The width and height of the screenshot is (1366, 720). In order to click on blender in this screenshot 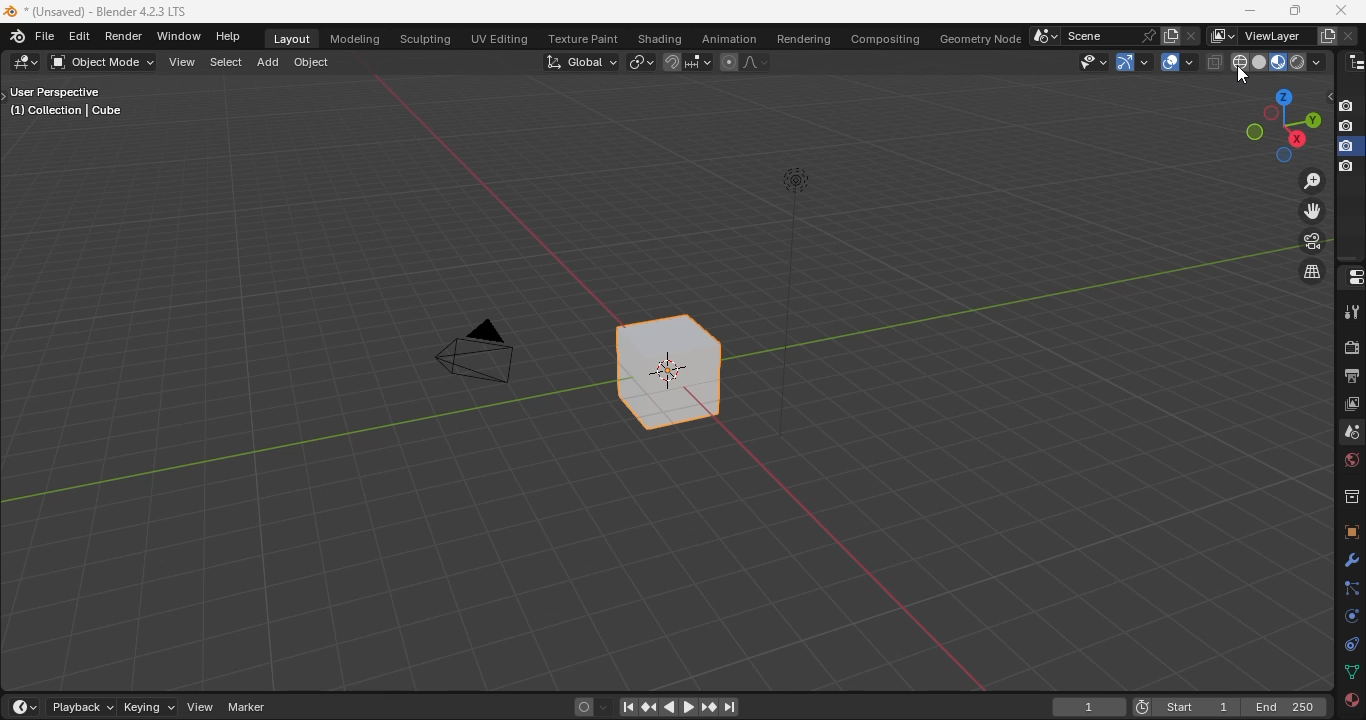, I will do `click(15, 37)`.